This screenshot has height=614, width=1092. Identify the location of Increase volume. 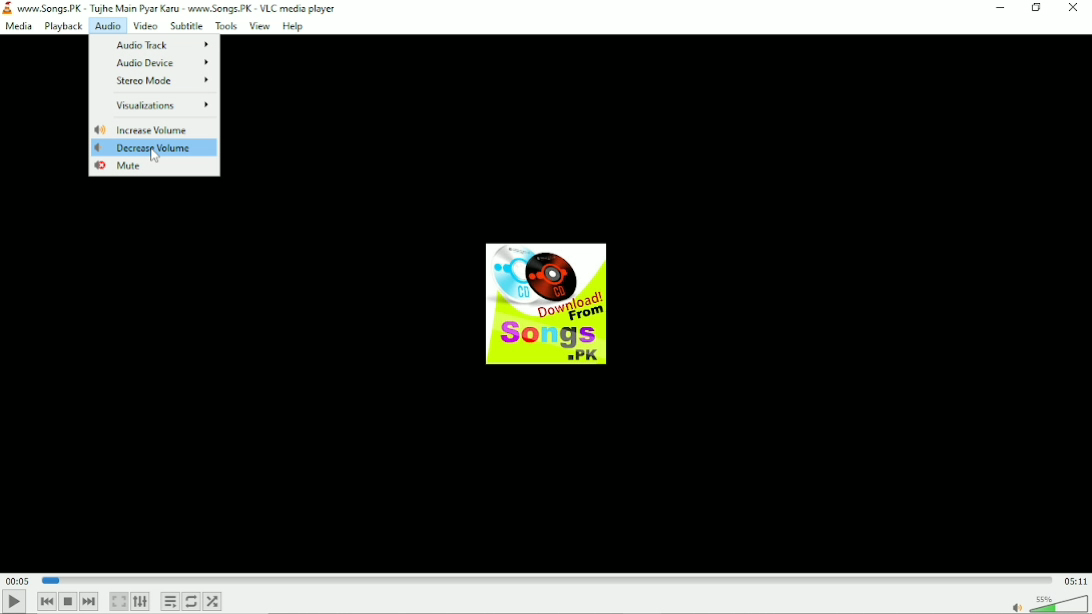
(144, 129).